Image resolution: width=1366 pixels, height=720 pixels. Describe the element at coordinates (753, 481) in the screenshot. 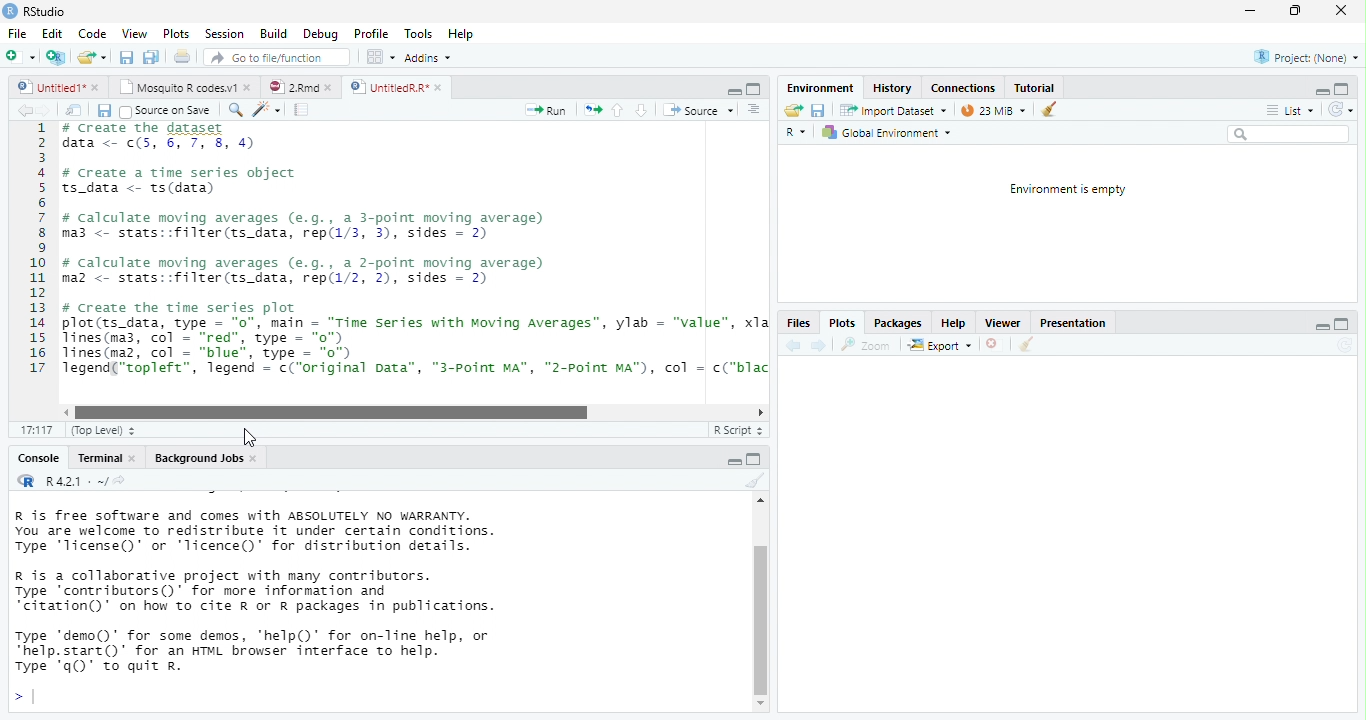

I see `clear` at that location.